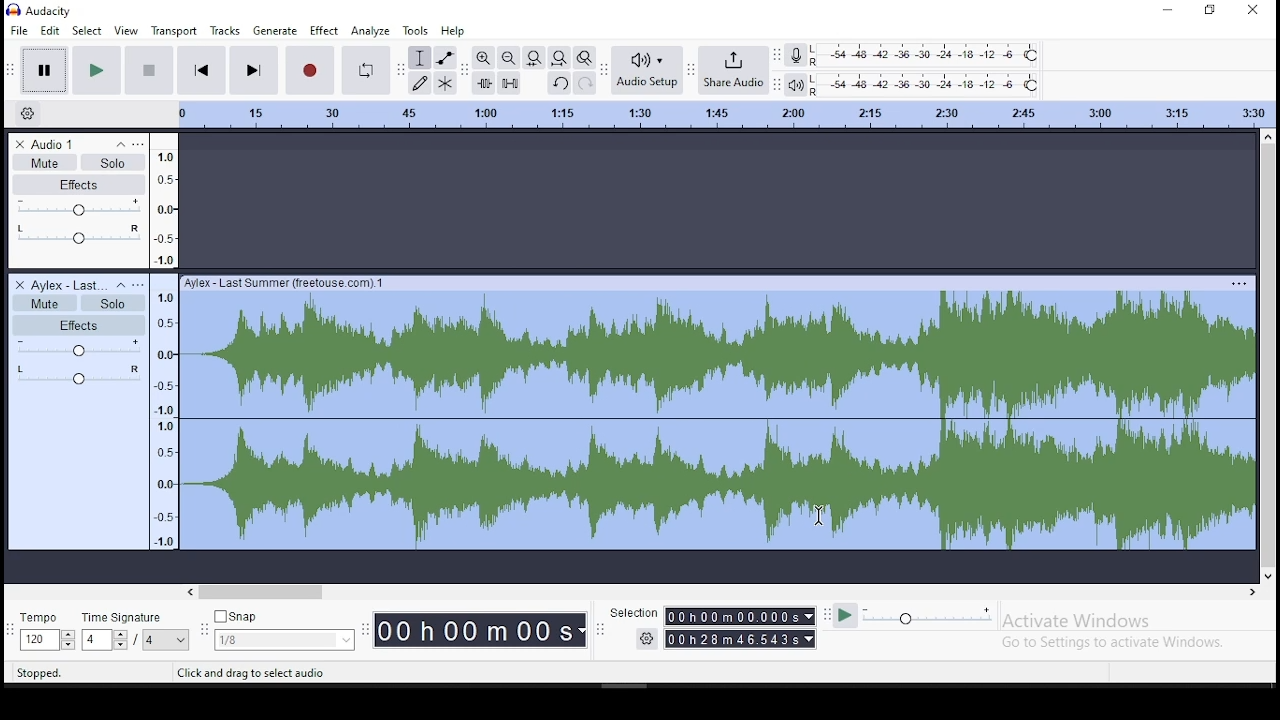 The width and height of the screenshot is (1280, 720). I want to click on 00h00mMO00.000s, so click(739, 616).